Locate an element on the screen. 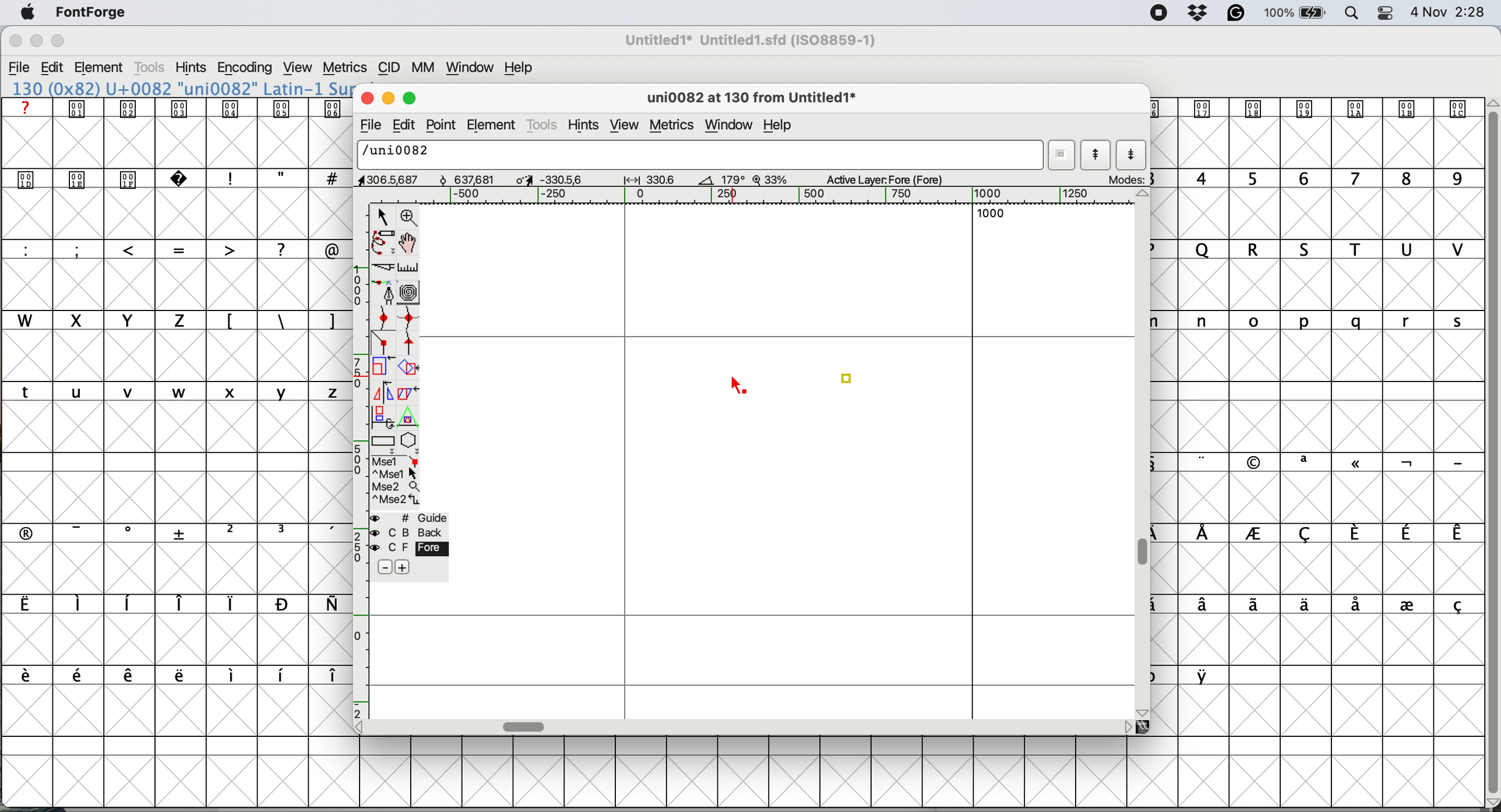  horizontal scroll bar is located at coordinates (526, 726).